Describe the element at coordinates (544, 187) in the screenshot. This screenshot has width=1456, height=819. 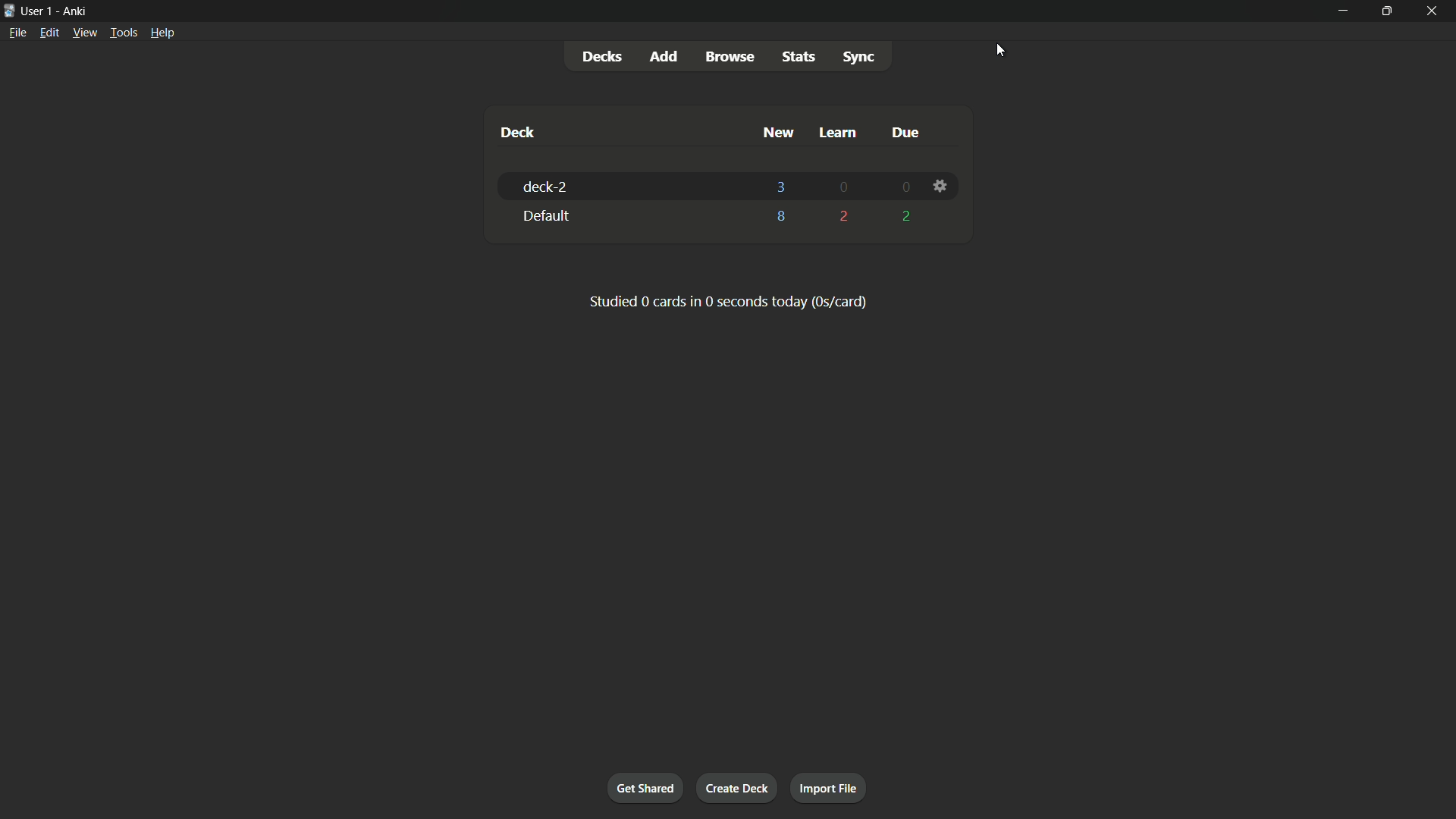
I see `deck-2` at that location.